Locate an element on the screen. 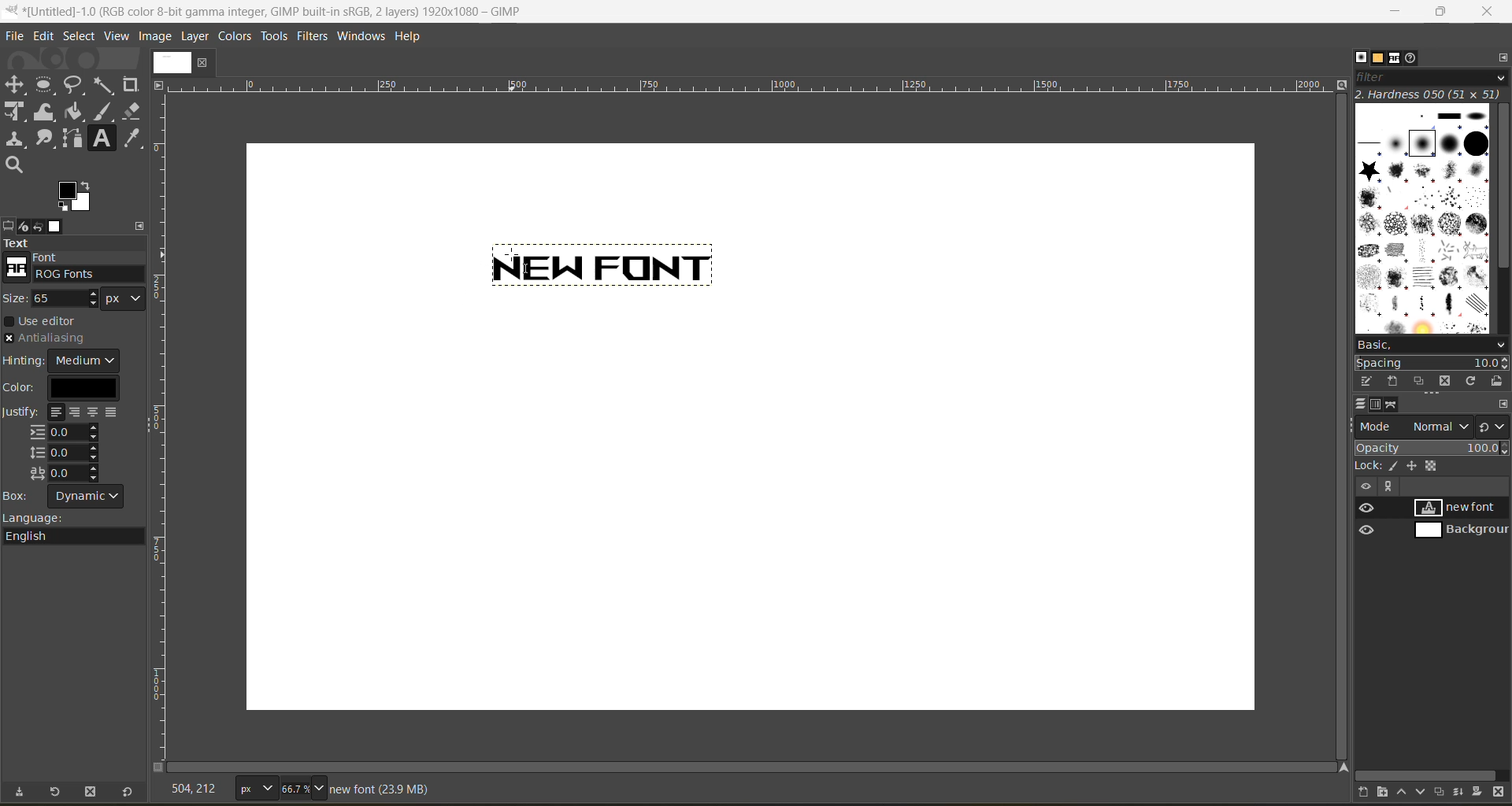 This screenshot has width=1512, height=806. image is located at coordinates (171, 62).